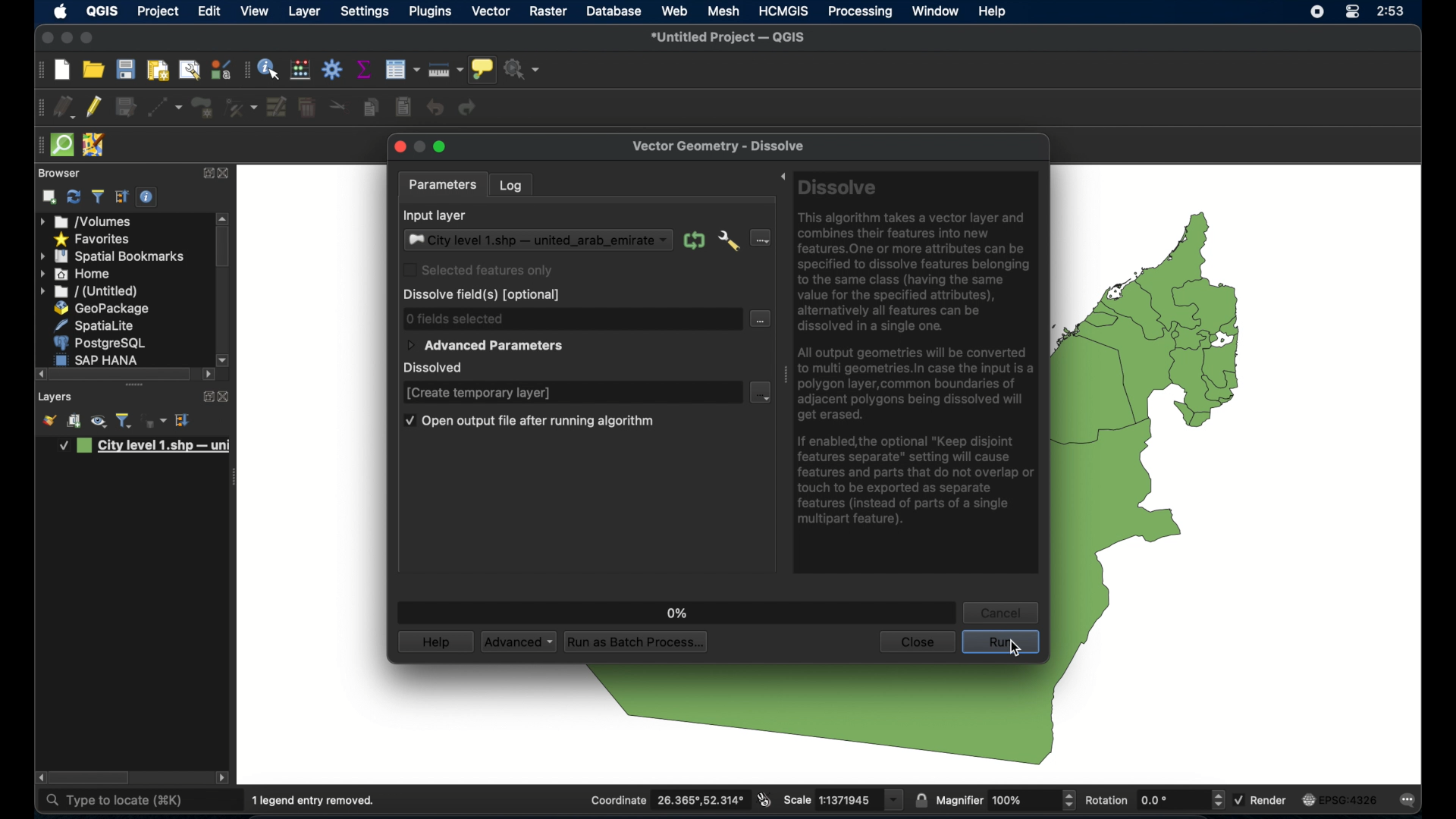 Image resolution: width=1456 pixels, height=819 pixels. What do you see at coordinates (65, 39) in the screenshot?
I see `minimize` at bounding box center [65, 39].